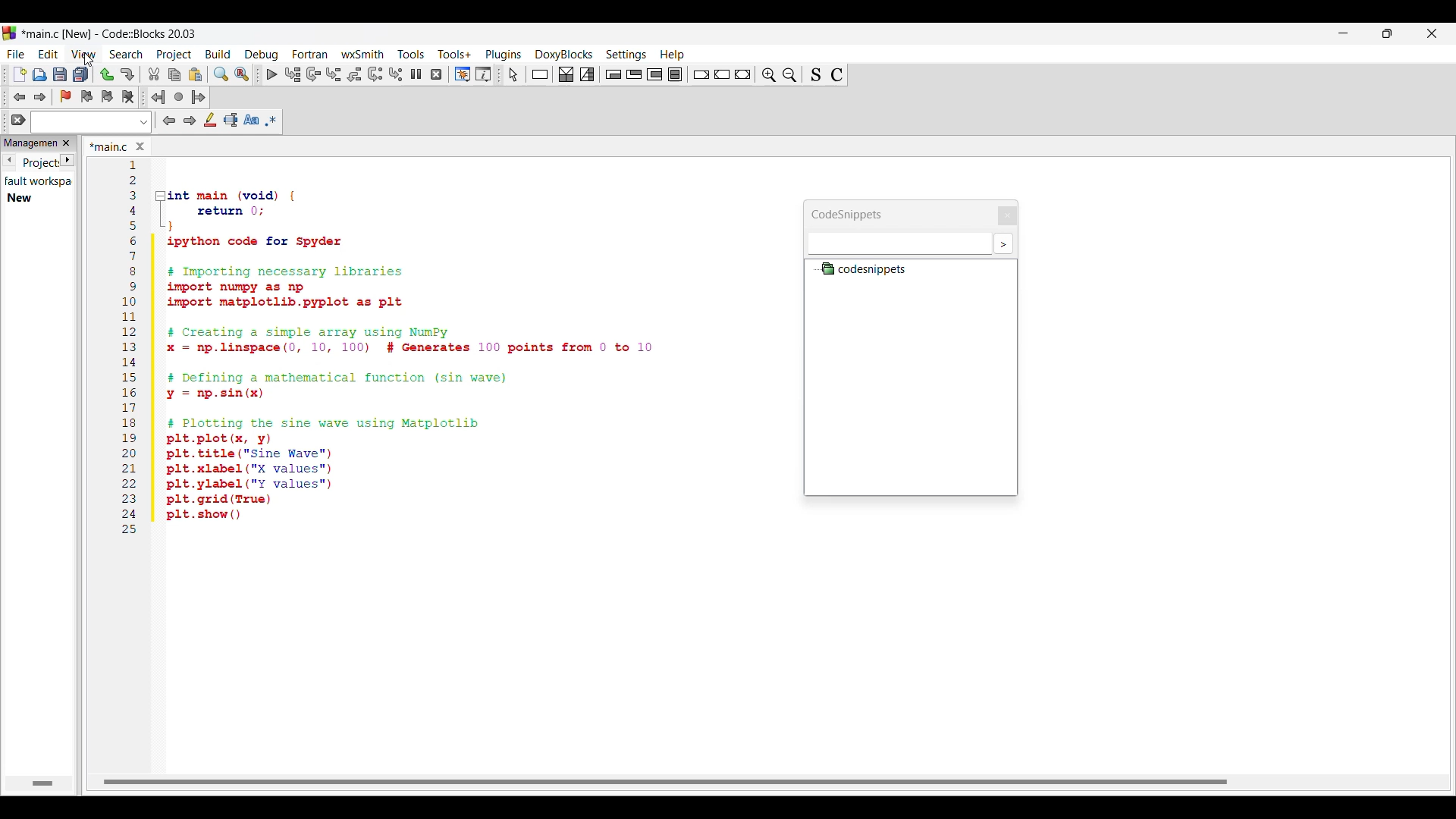 The image size is (1456, 819). Describe the element at coordinates (701, 75) in the screenshot. I see `Break instruction` at that location.